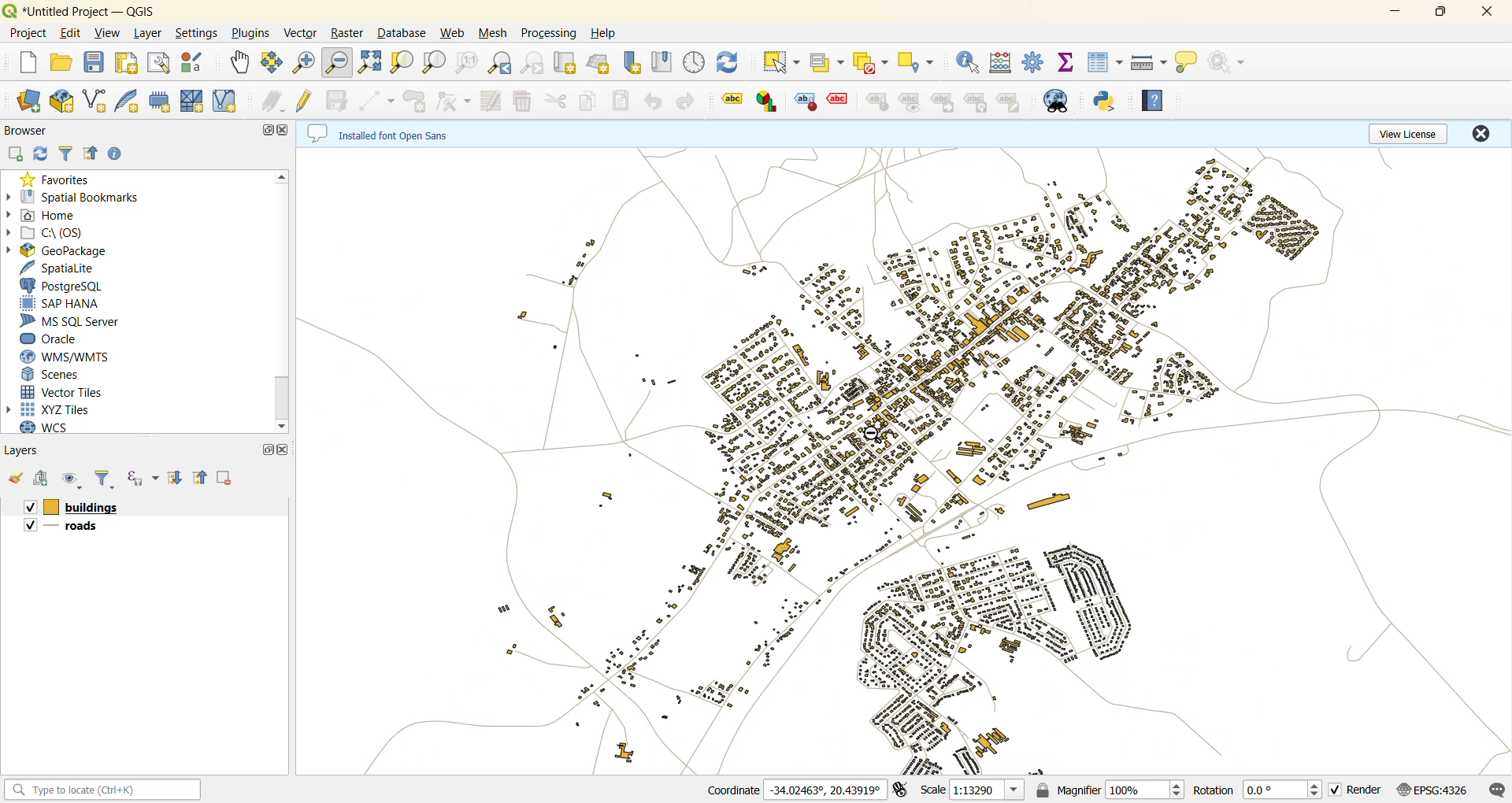 The image size is (1512, 803). What do you see at coordinates (43, 478) in the screenshot?
I see `add group` at bounding box center [43, 478].